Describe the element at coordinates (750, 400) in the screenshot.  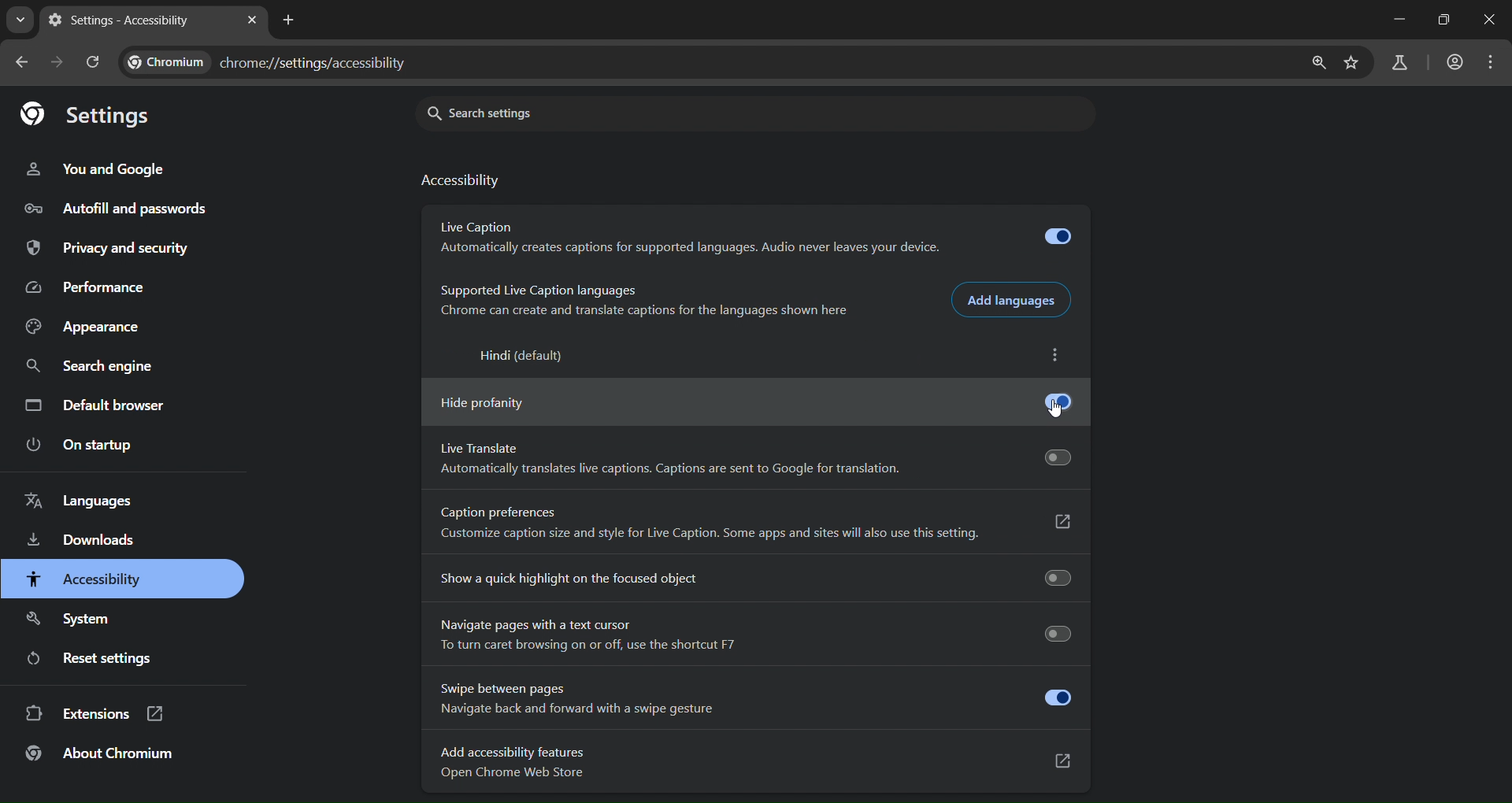
I see `hide profanity` at that location.